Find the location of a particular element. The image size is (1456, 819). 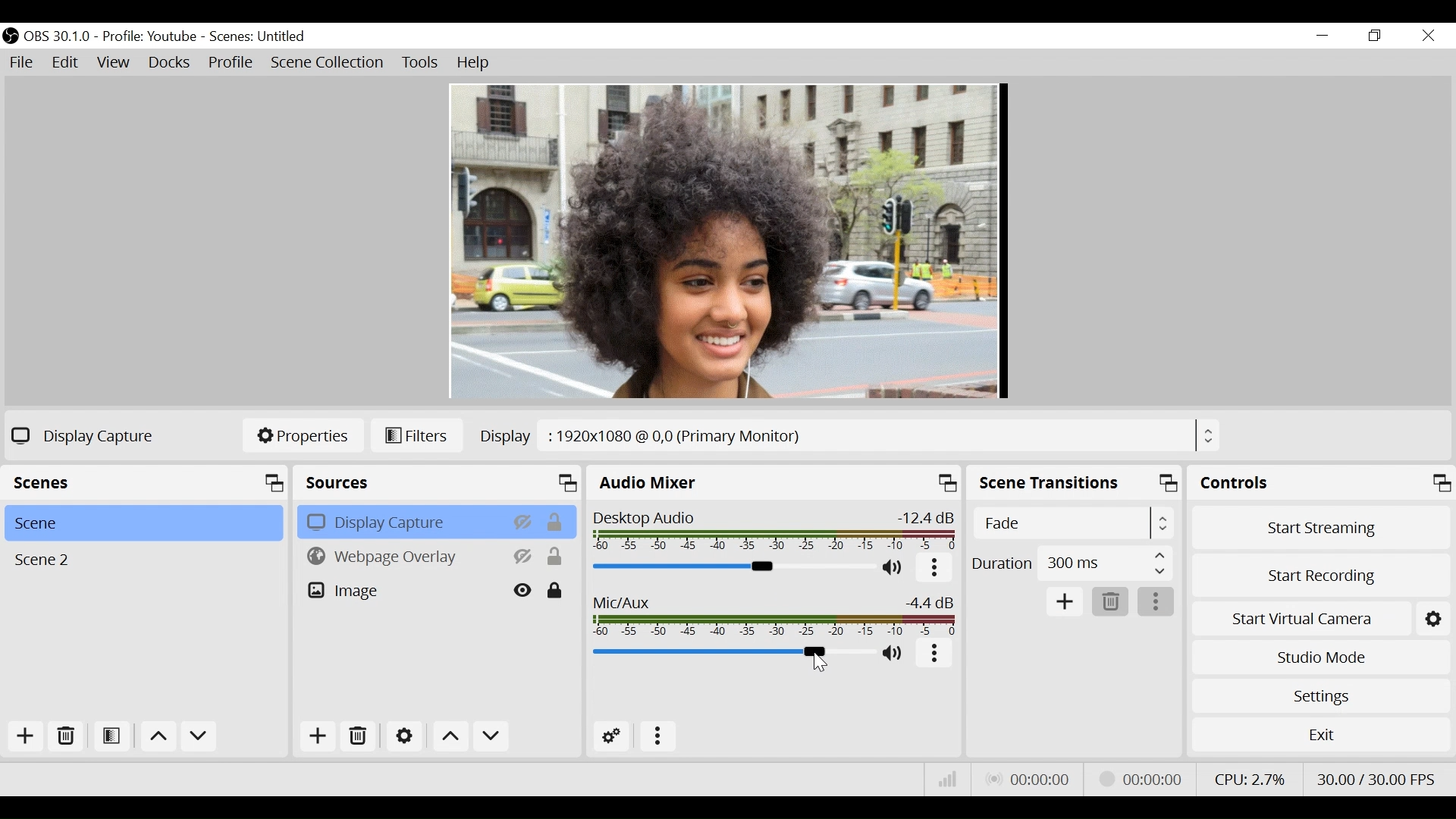

OBS Version is located at coordinates (58, 37).